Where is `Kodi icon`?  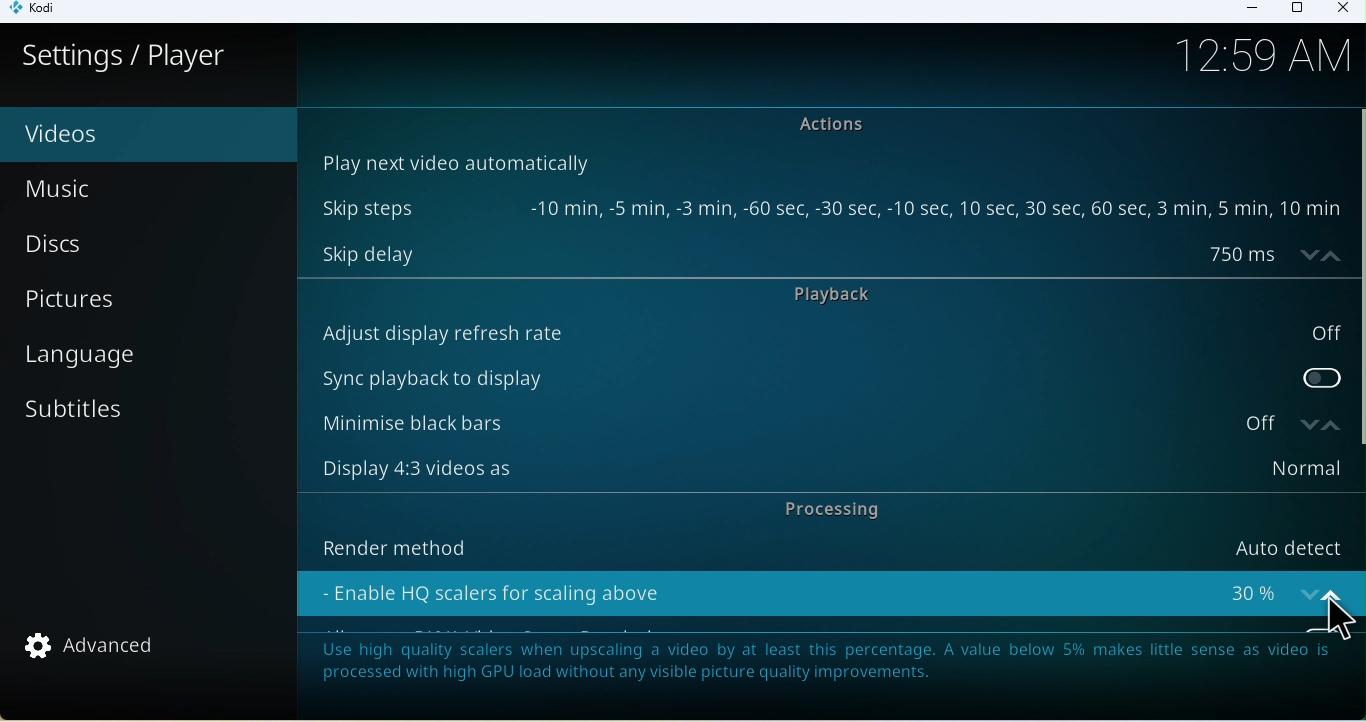 Kodi icon is located at coordinates (41, 12).